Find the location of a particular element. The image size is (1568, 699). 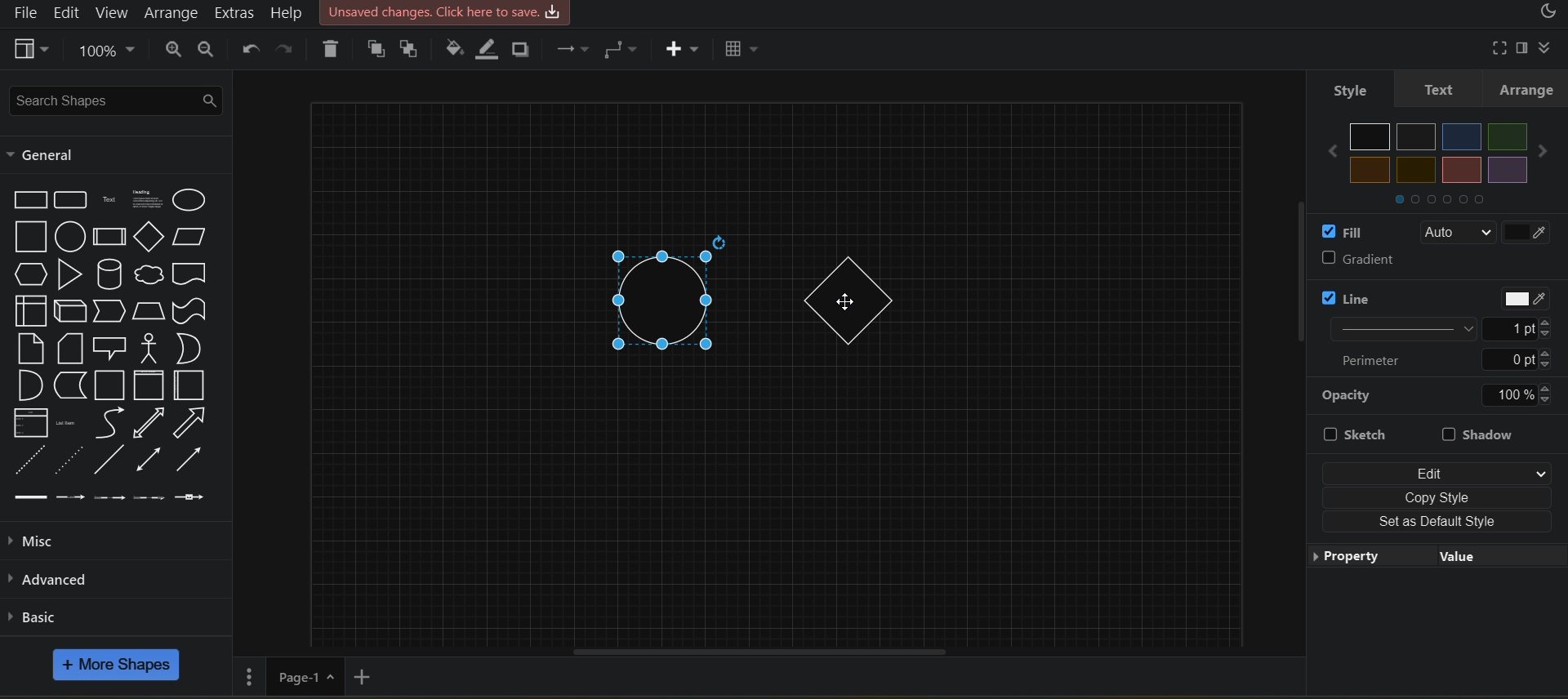

Curve is located at coordinates (109, 423).